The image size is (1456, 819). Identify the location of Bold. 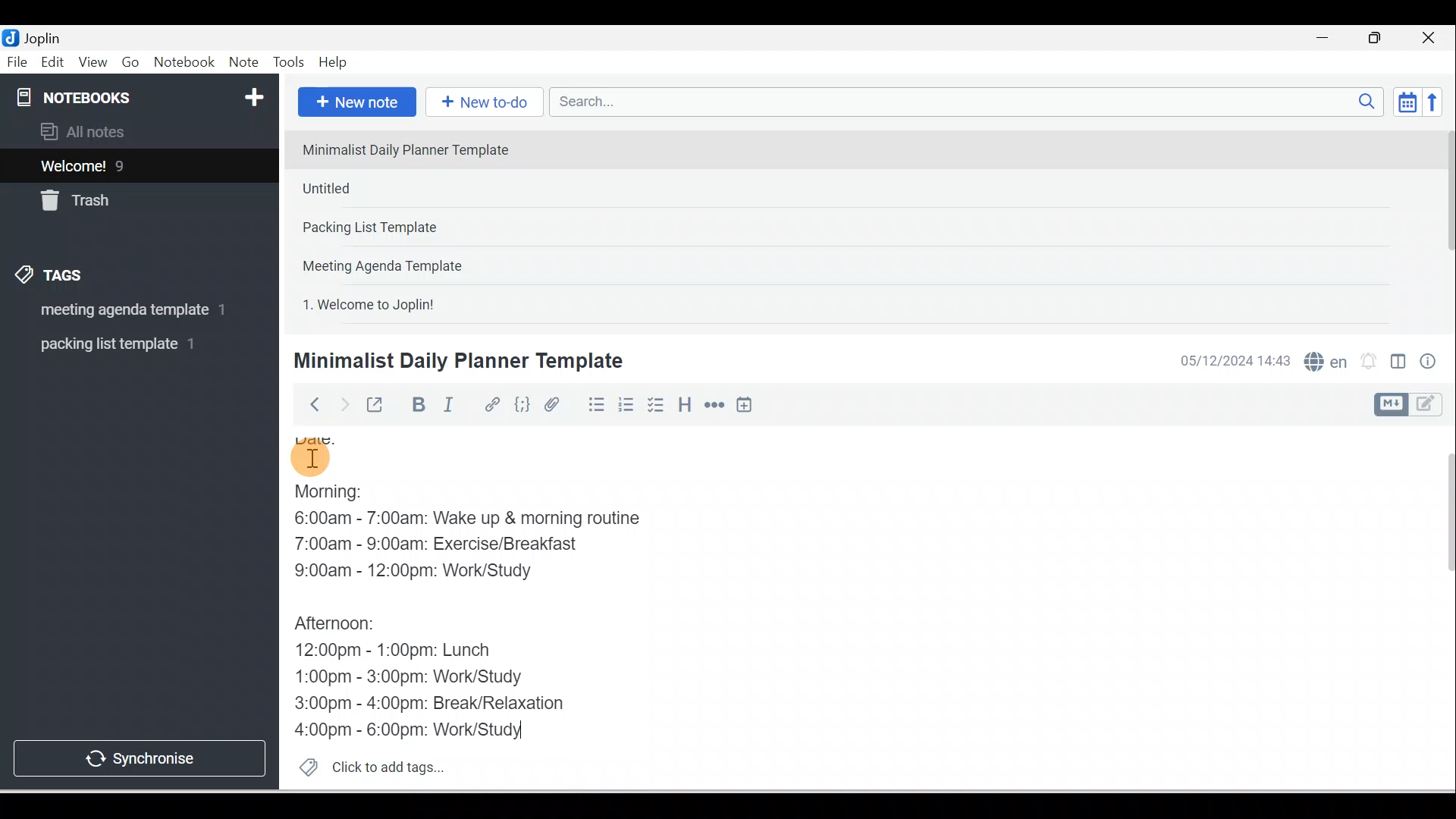
(416, 405).